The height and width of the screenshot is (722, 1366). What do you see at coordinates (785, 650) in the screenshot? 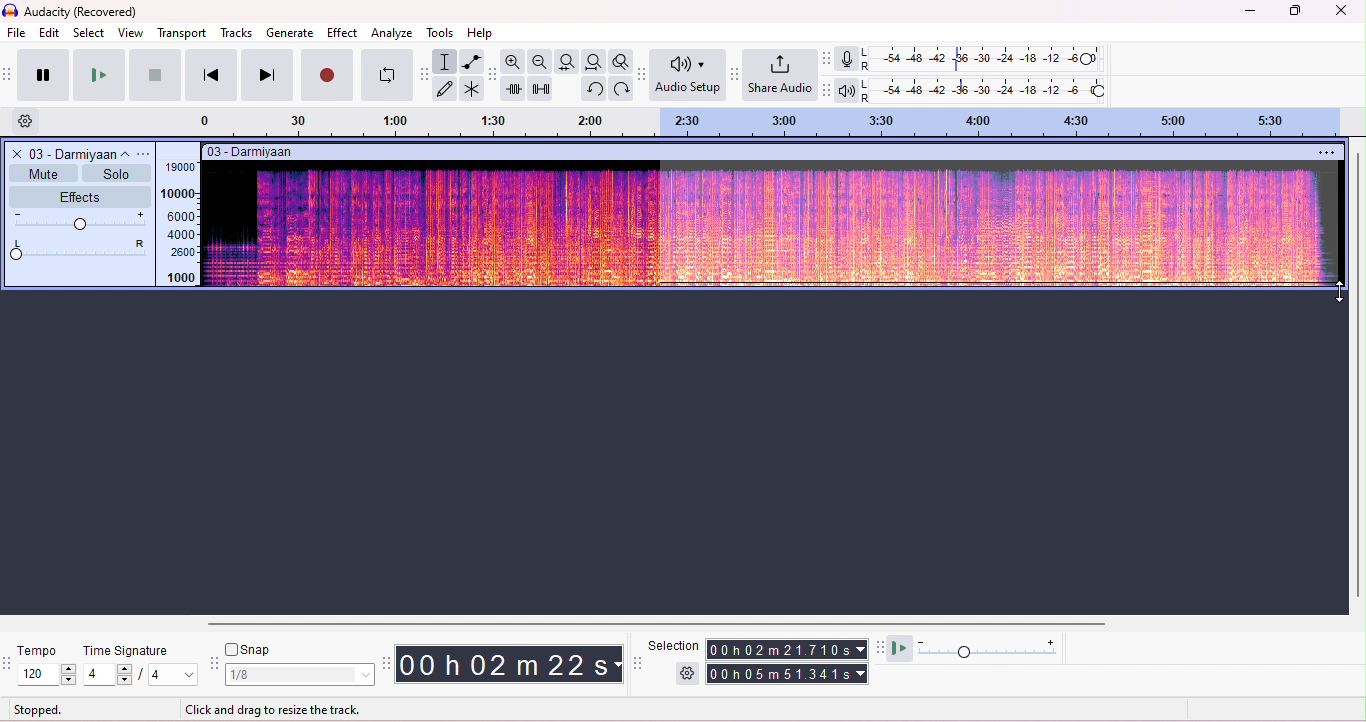
I see `total time` at bounding box center [785, 650].